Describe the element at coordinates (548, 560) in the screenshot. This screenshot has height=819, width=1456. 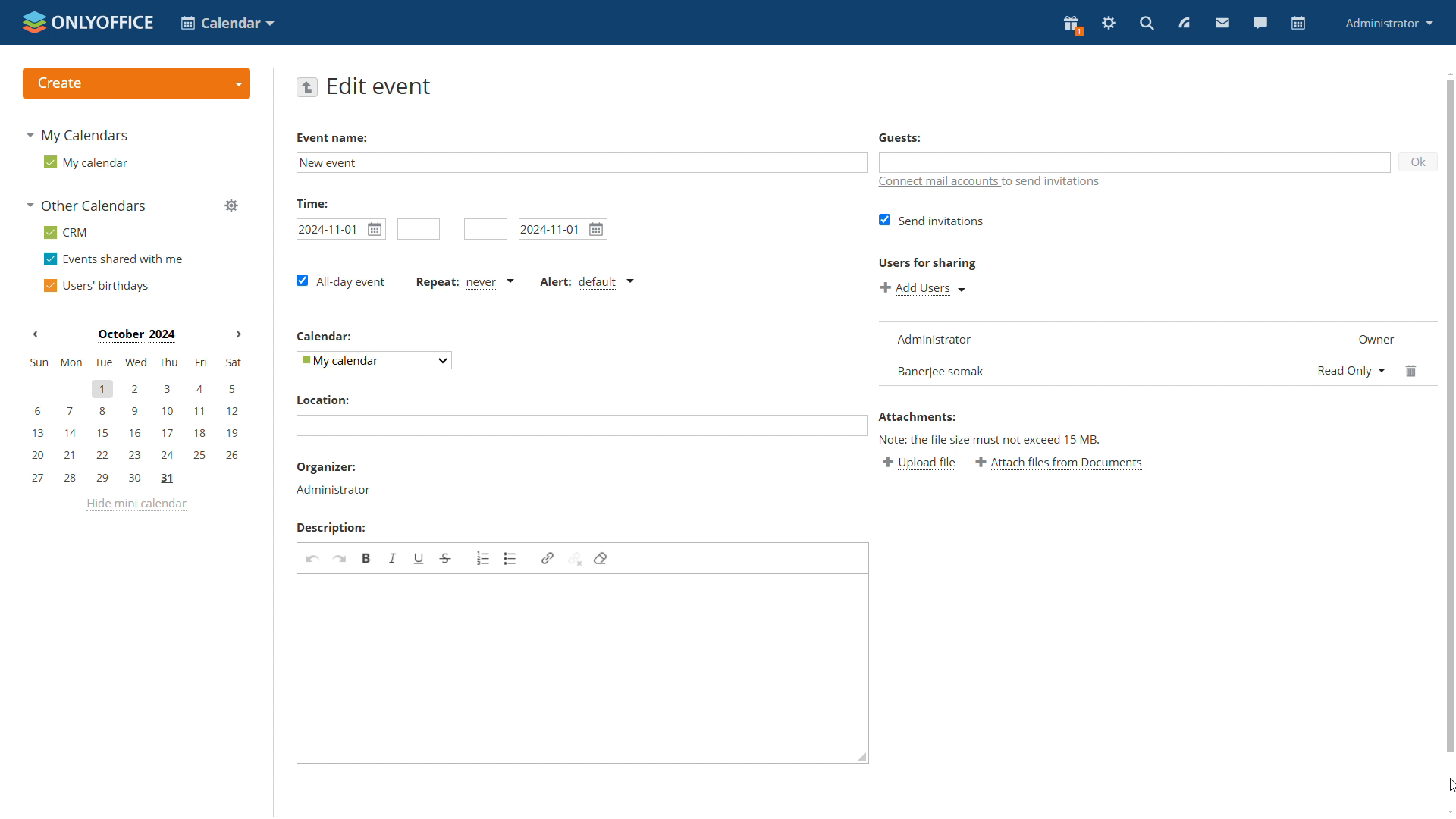
I see `link` at that location.